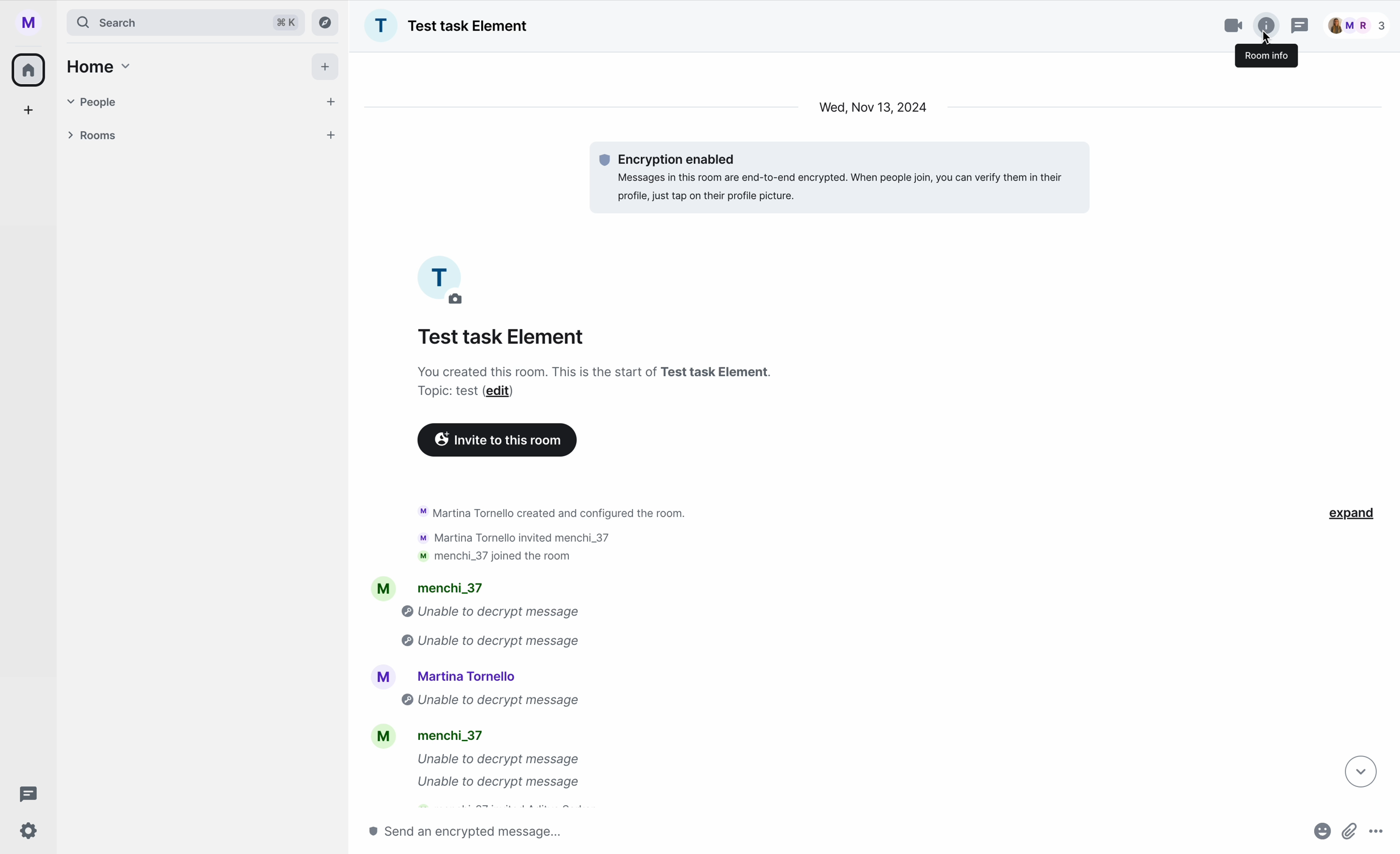 This screenshot has height=854, width=1400. Describe the element at coordinates (1231, 27) in the screenshot. I see `video call` at that location.